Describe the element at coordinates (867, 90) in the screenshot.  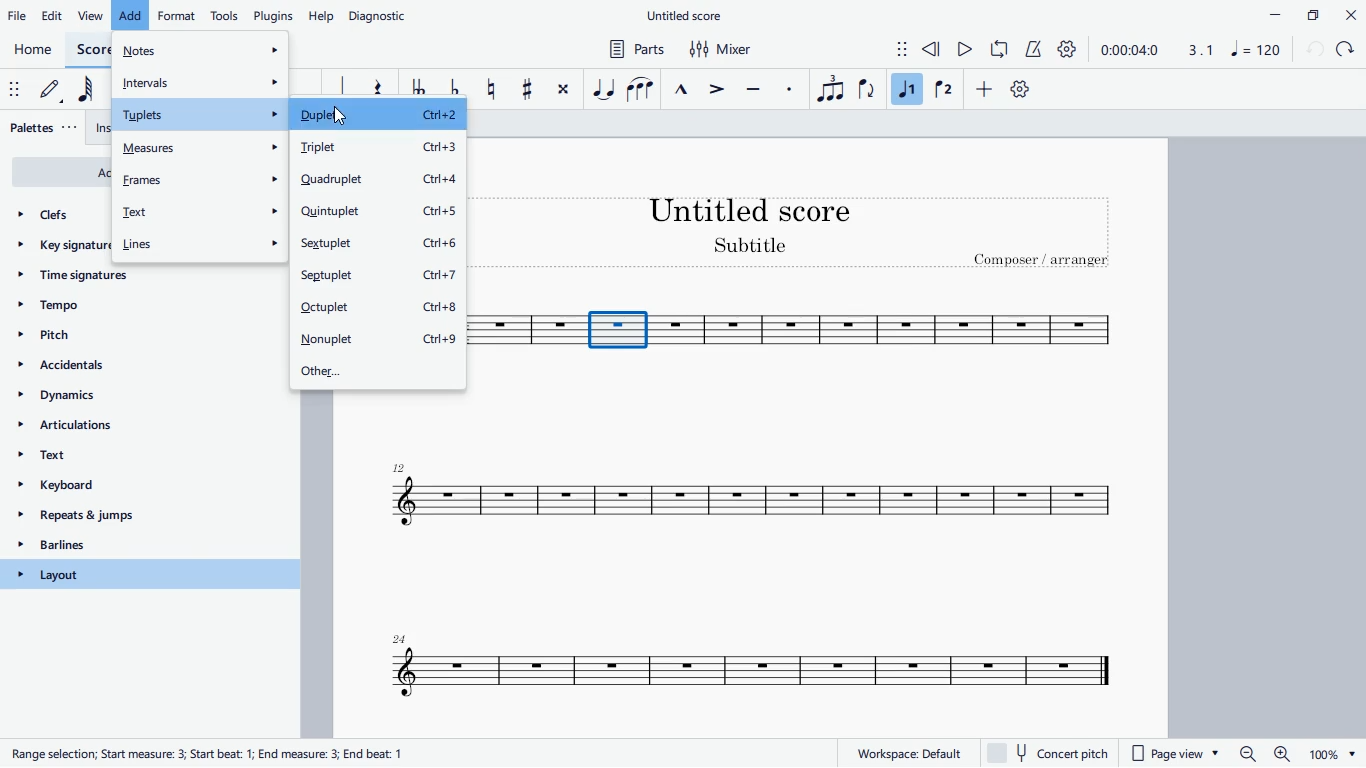
I see `flip direction` at that location.